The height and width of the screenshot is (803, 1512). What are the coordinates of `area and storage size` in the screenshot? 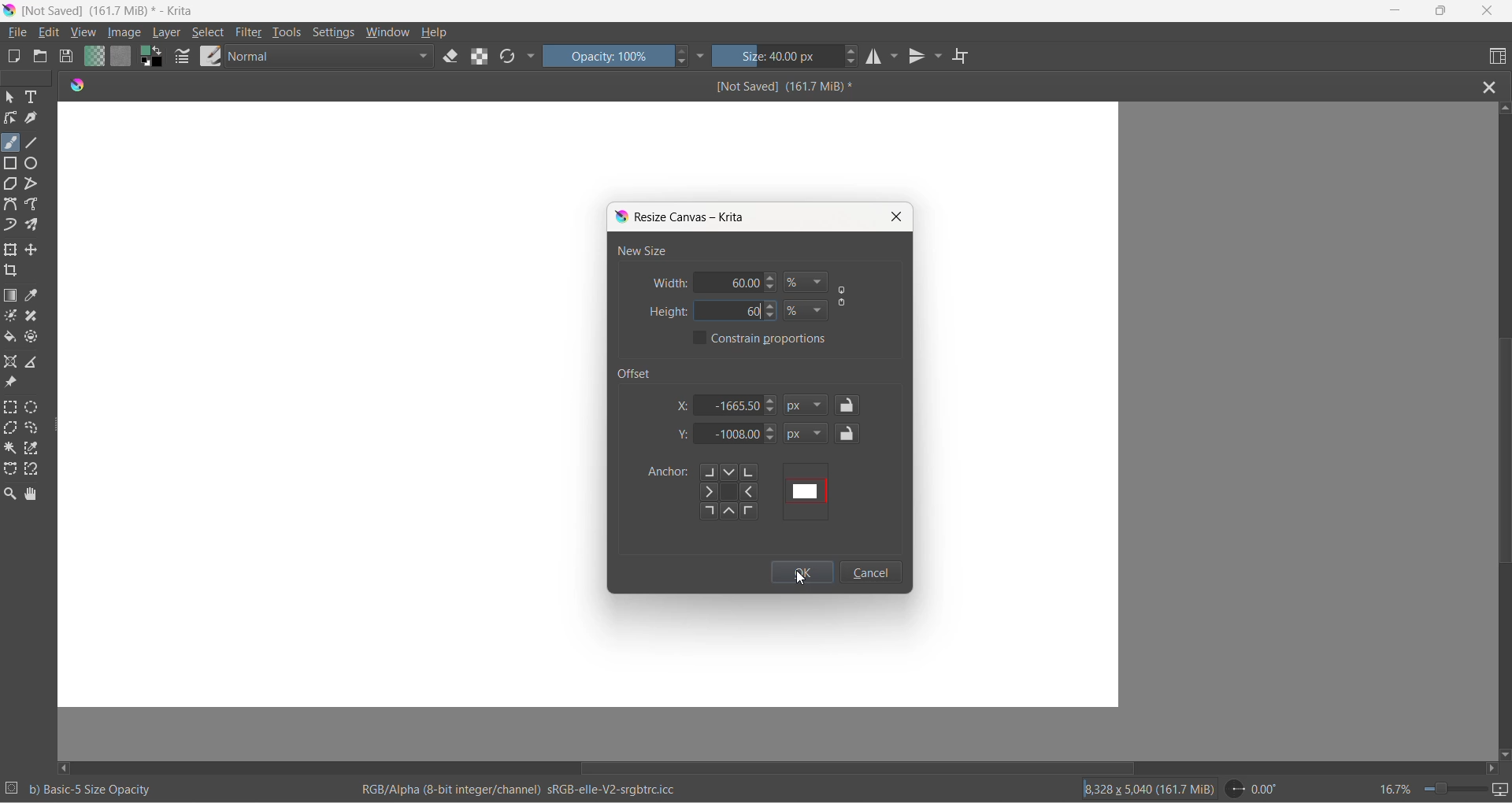 It's located at (1149, 788).